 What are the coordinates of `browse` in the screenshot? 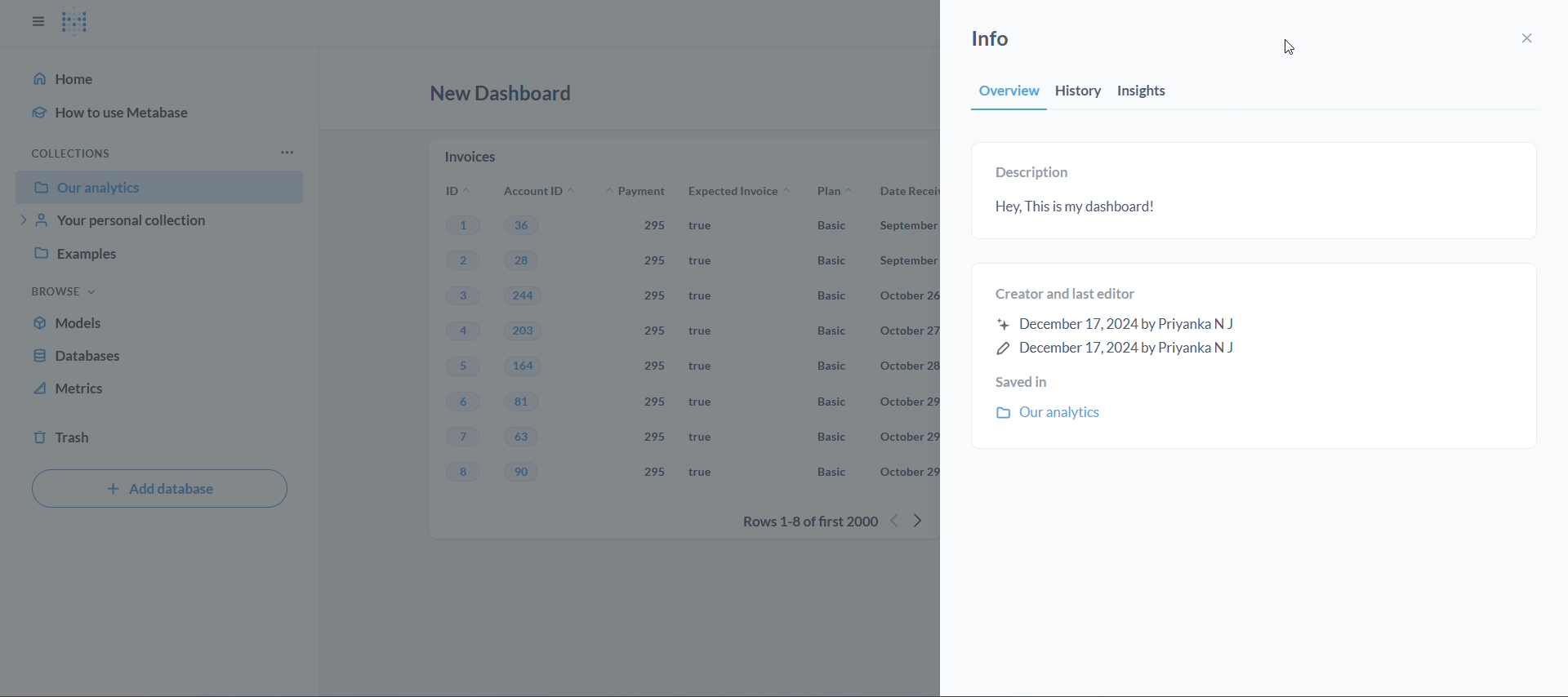 It's located at (64, 291).